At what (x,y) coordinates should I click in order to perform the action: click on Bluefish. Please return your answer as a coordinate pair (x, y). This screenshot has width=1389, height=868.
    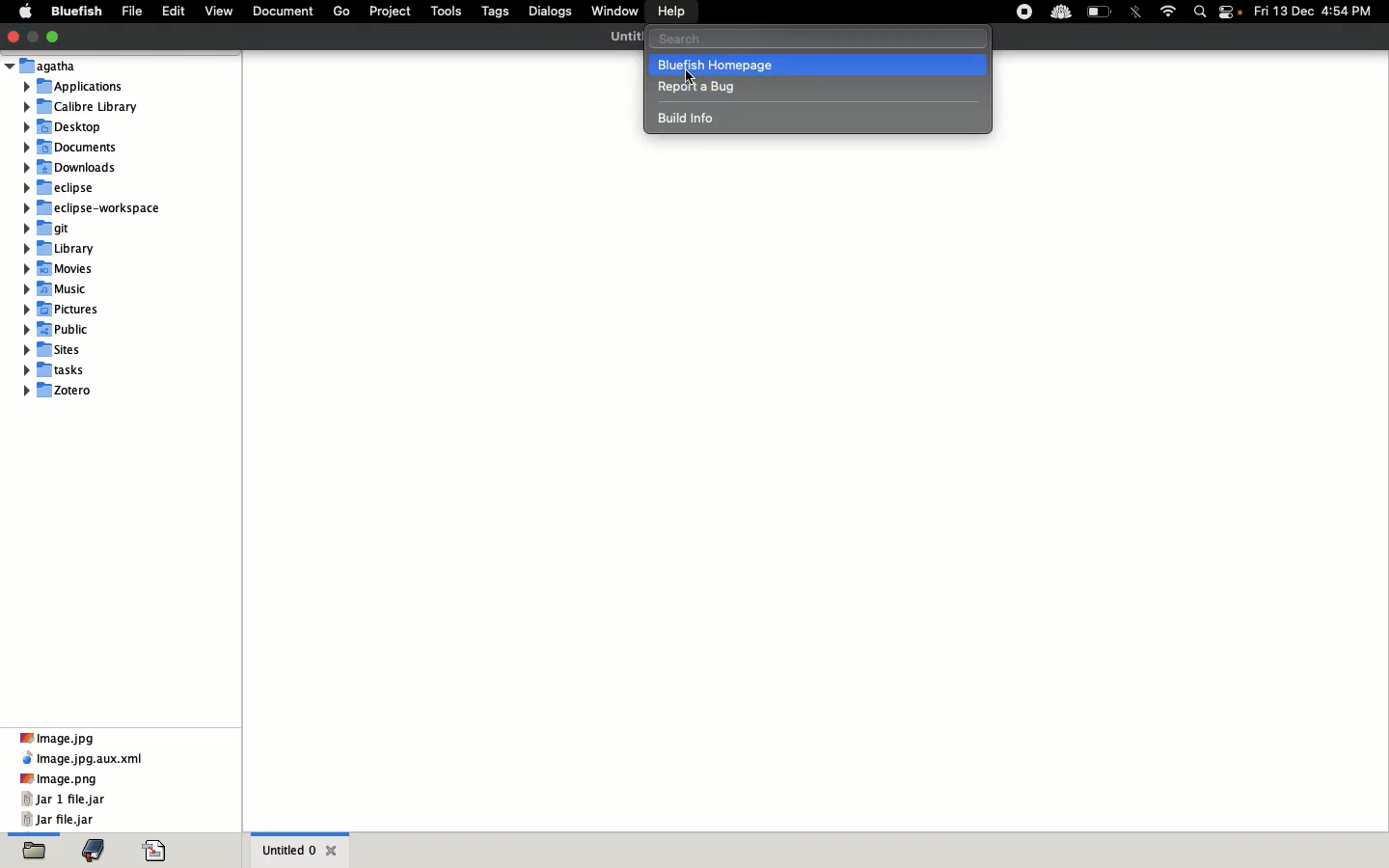
    Looking at the image, I should click on (73, 10).